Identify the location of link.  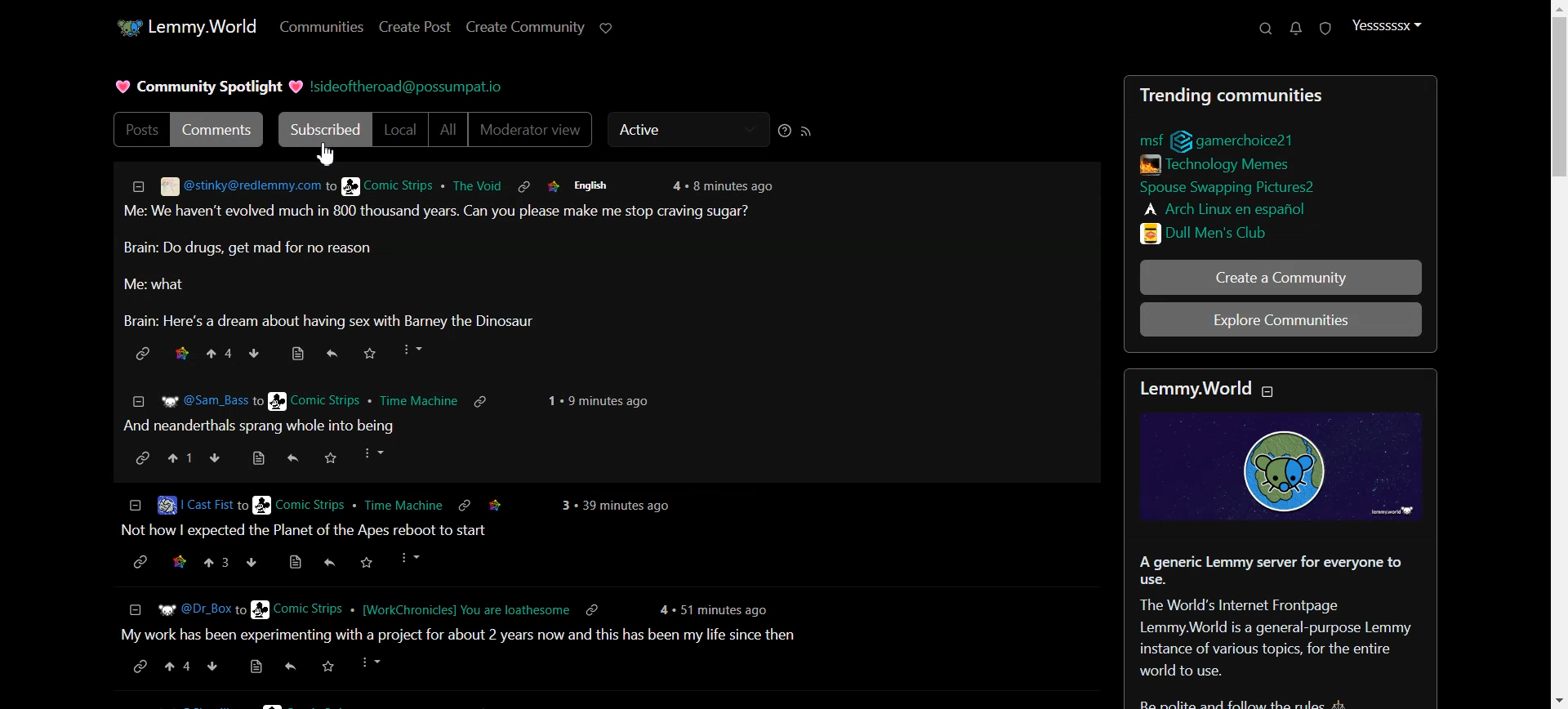
(136, 457).